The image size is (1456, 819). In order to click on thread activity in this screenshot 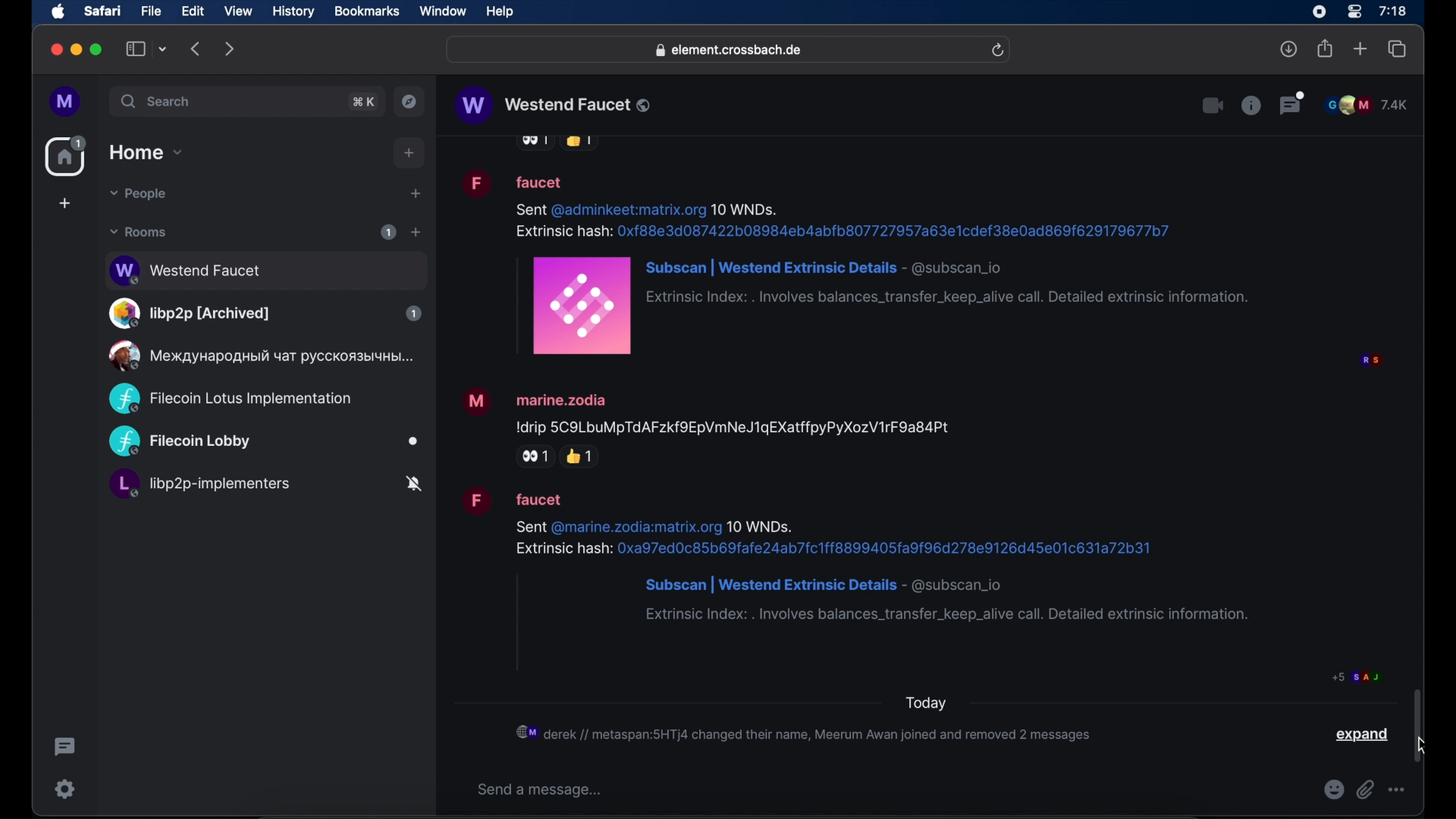, I will do `click(66, 747)`.